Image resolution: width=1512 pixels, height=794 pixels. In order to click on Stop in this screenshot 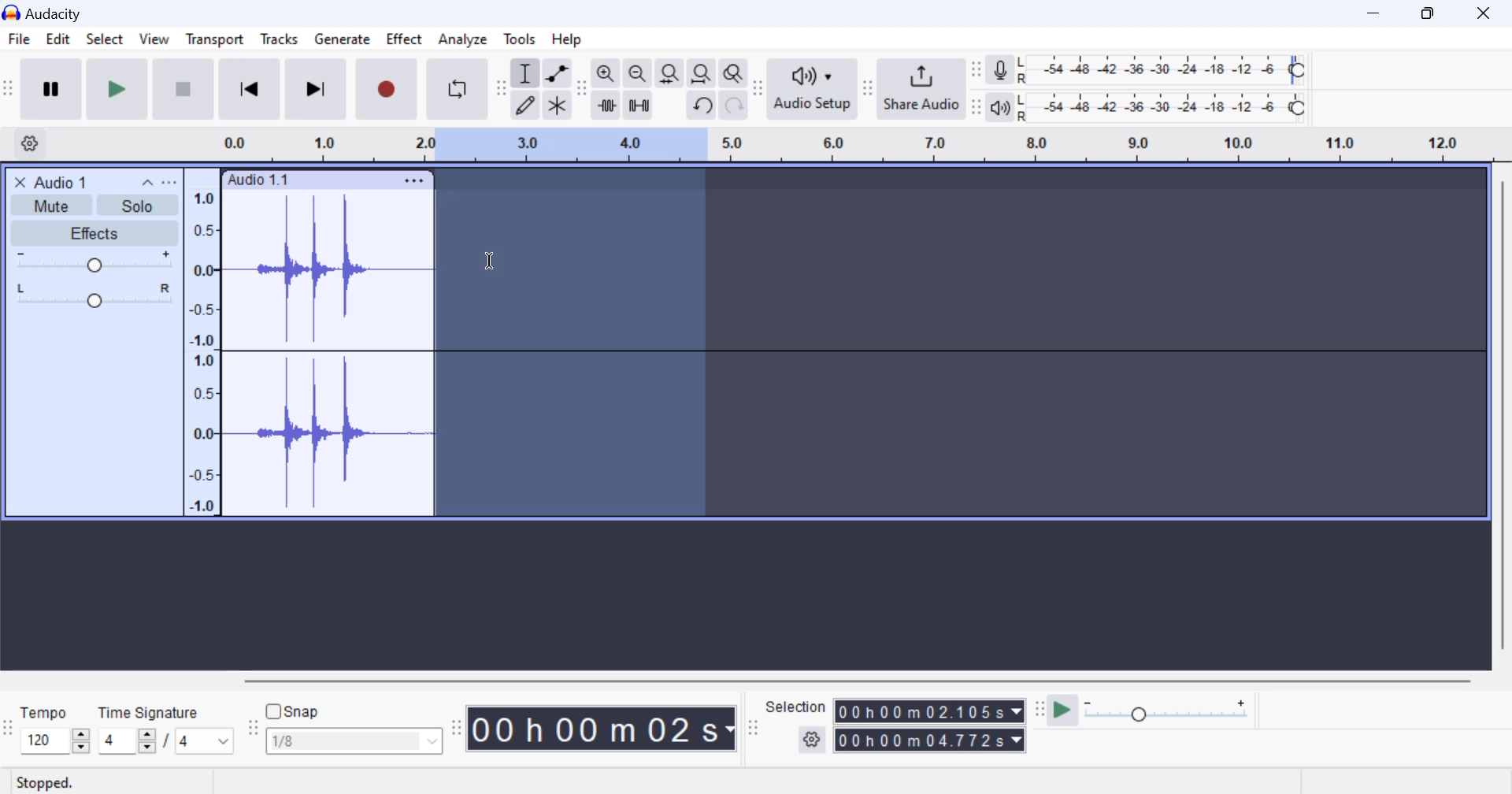, I will do `click(185, 88)`.